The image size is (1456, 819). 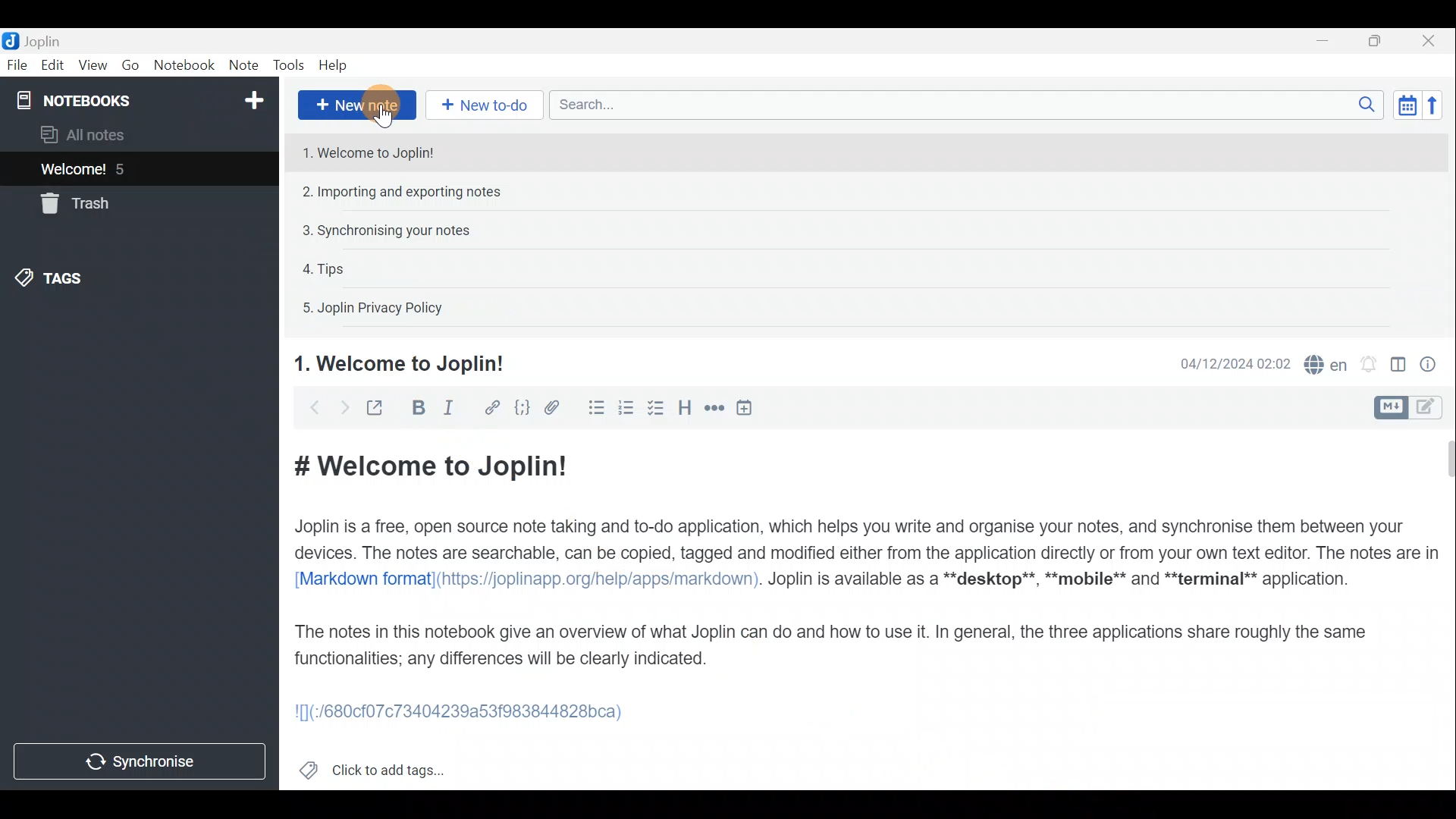 What do you see at coordinates (389, 230) in the screenshot?
I see `3. Synchronising your notes` at bounding box center [389, 230].